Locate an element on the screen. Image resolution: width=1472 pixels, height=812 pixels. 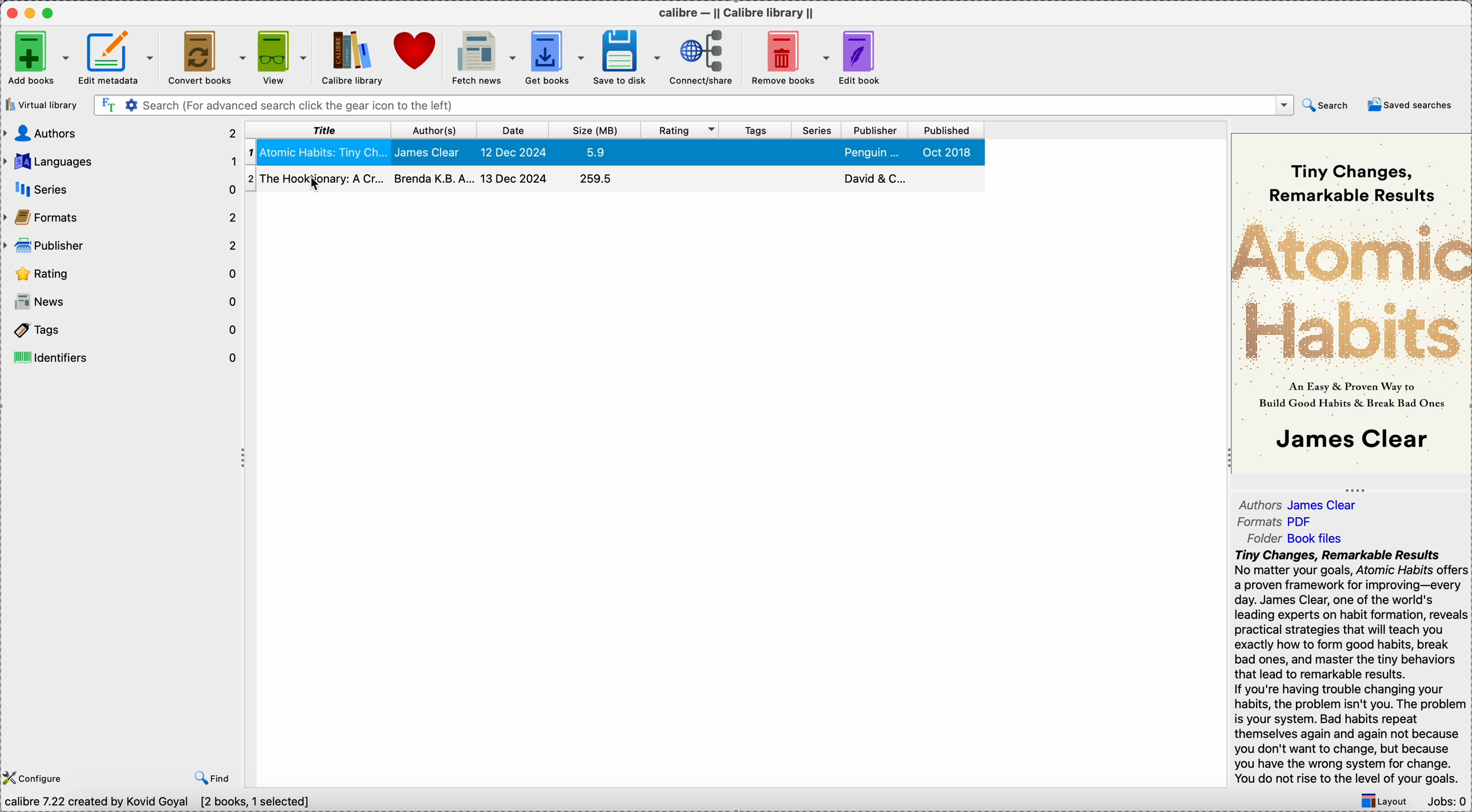
identifiers is located at coordinates (122, 359).